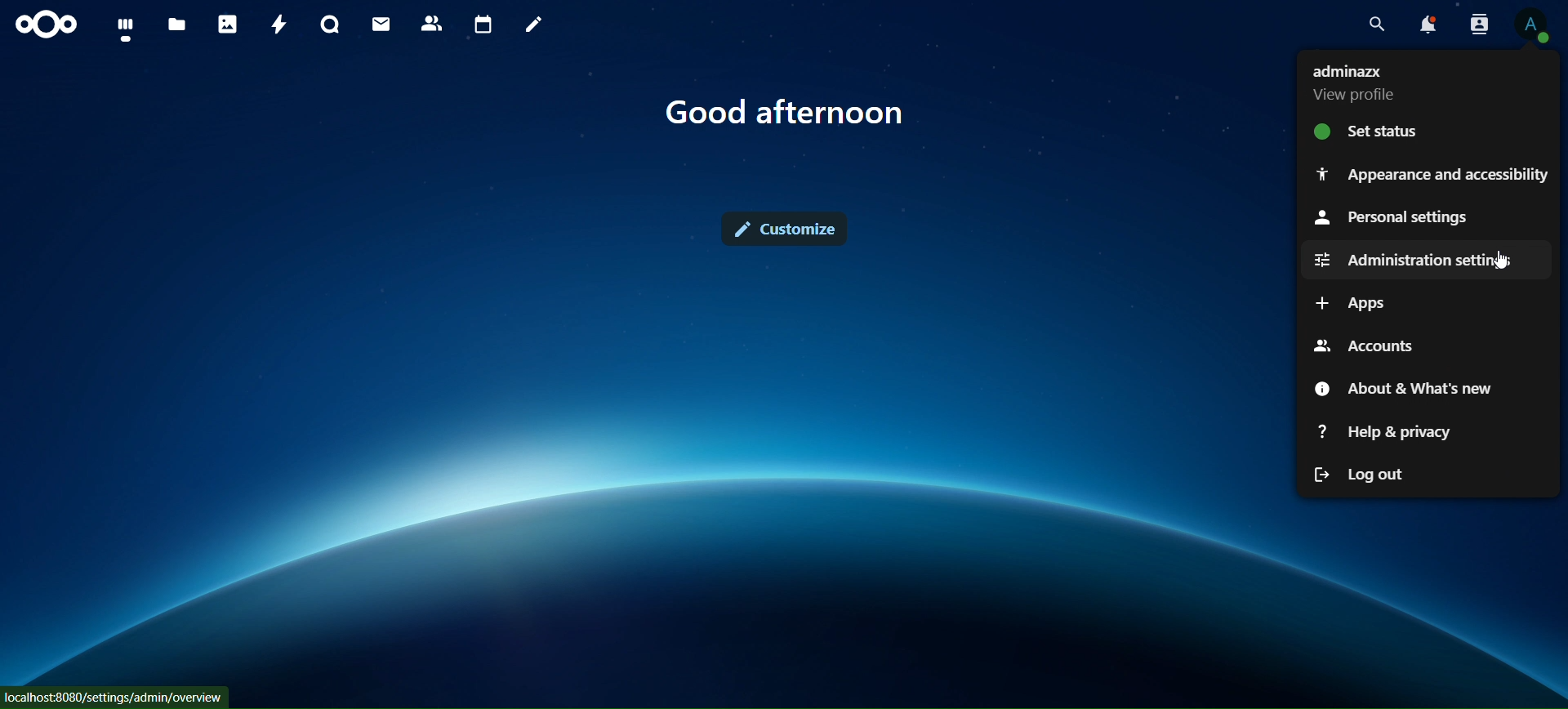 This screenshot has width=1568, height=709. I want to click on Url, so click(117, 698).